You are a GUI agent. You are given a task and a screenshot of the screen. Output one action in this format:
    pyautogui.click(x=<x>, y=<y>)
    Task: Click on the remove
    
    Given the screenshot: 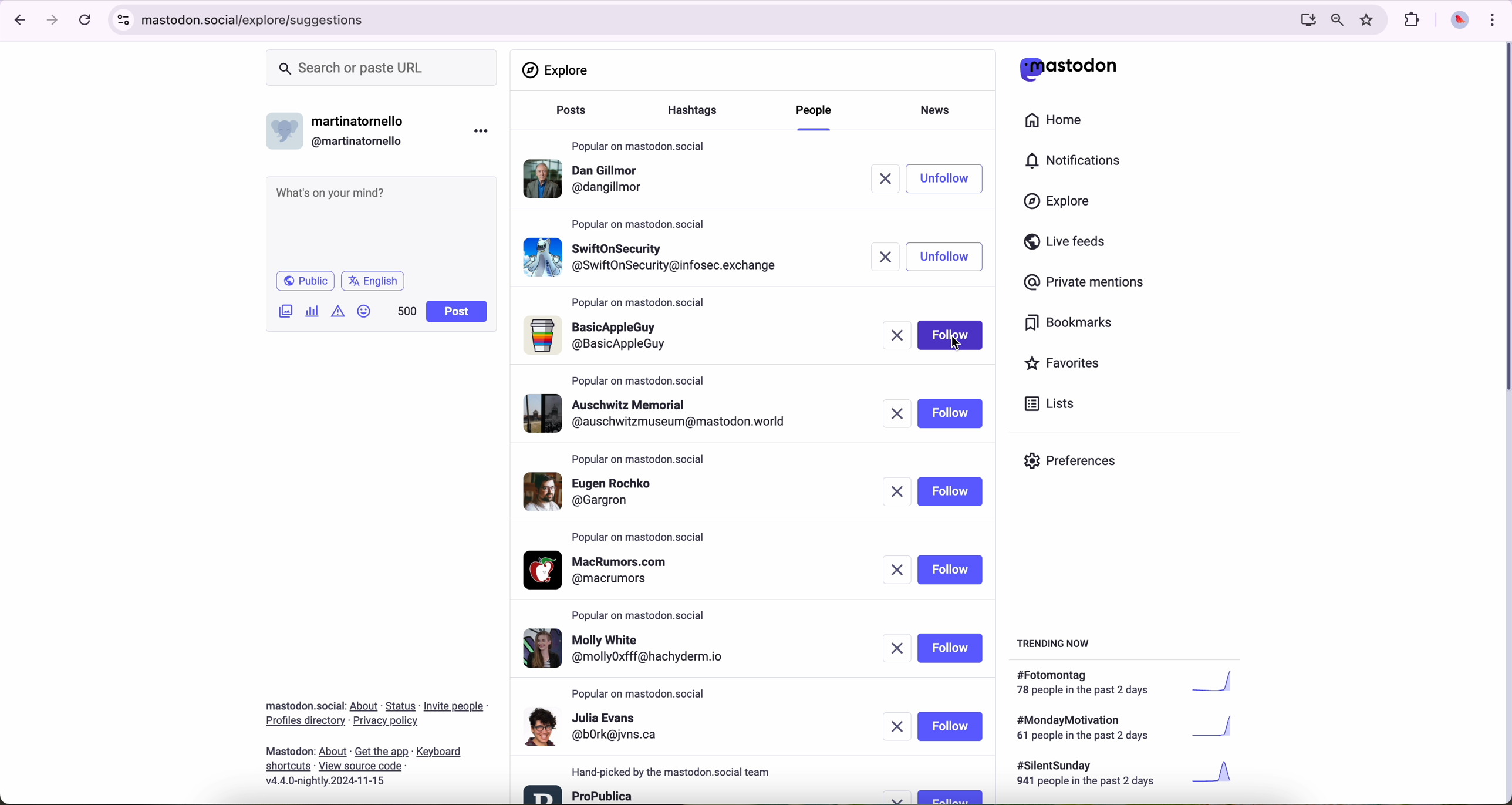 What is the action you would take?
    pyautogui.click(x=885, y=179)
    